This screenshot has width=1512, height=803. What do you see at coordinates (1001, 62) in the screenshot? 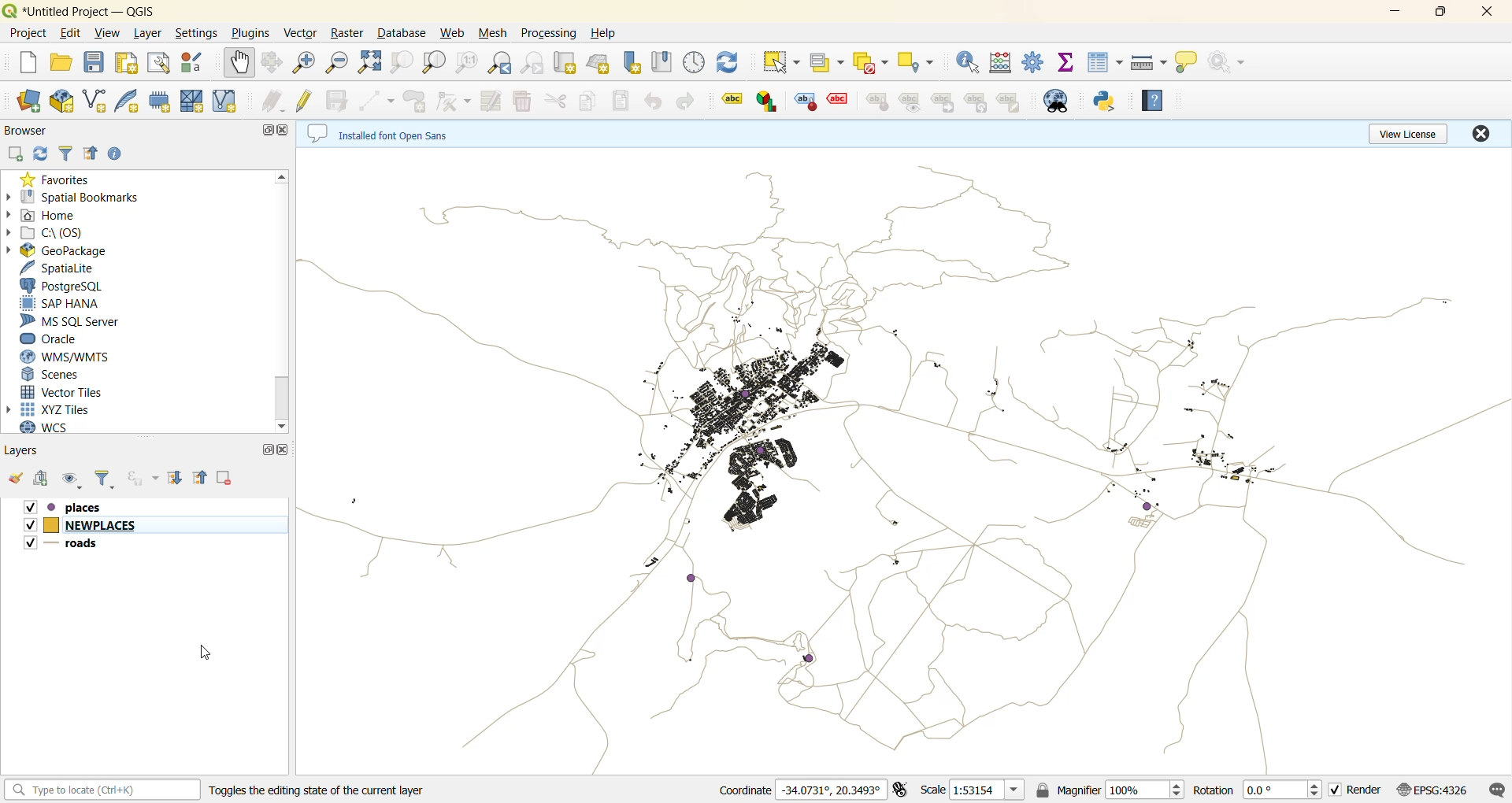
I see `calculator` at bounding box center [1001, 62].